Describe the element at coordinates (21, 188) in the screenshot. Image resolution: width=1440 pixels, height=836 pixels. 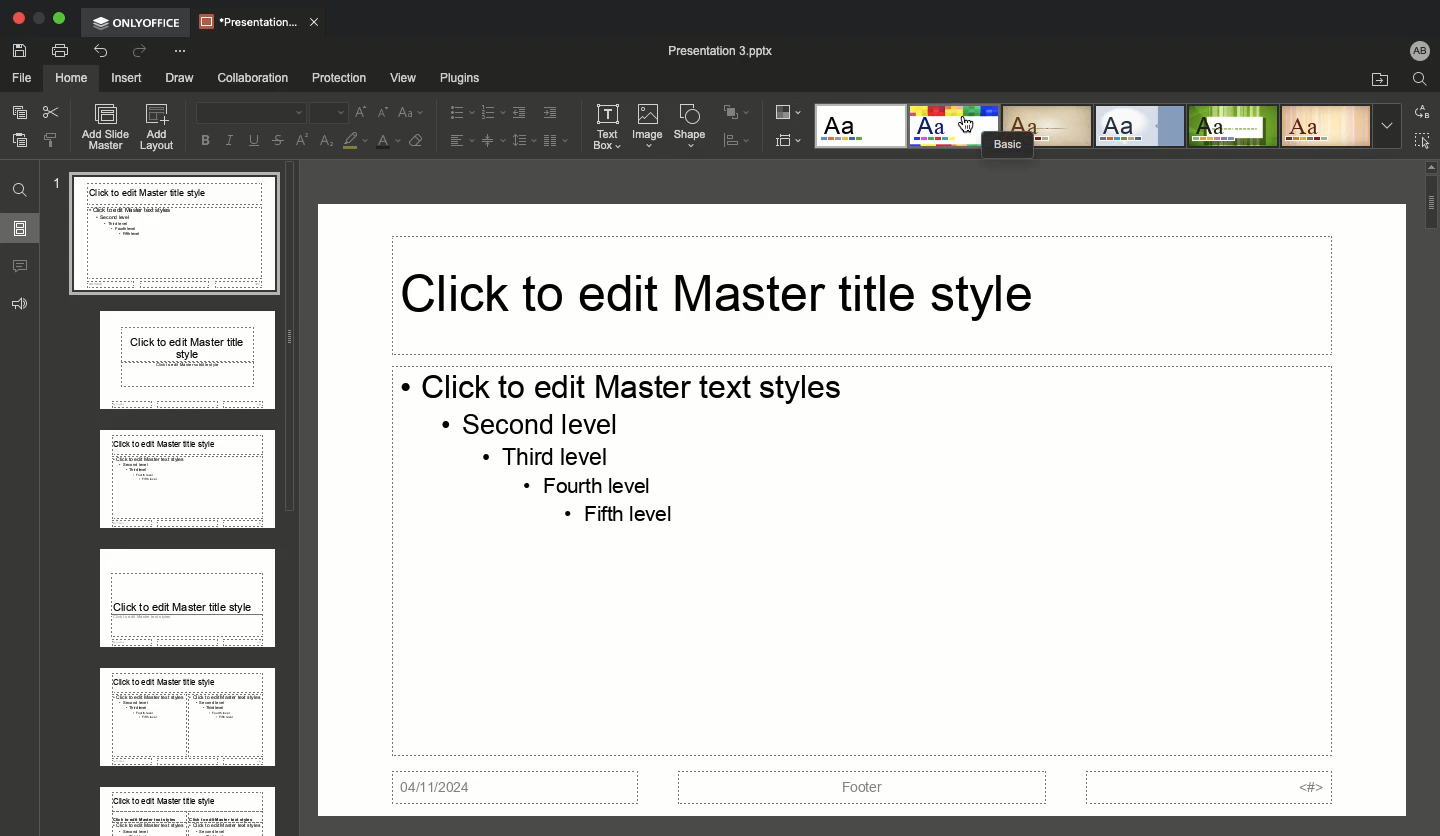
I see `Find and replace` at that location.